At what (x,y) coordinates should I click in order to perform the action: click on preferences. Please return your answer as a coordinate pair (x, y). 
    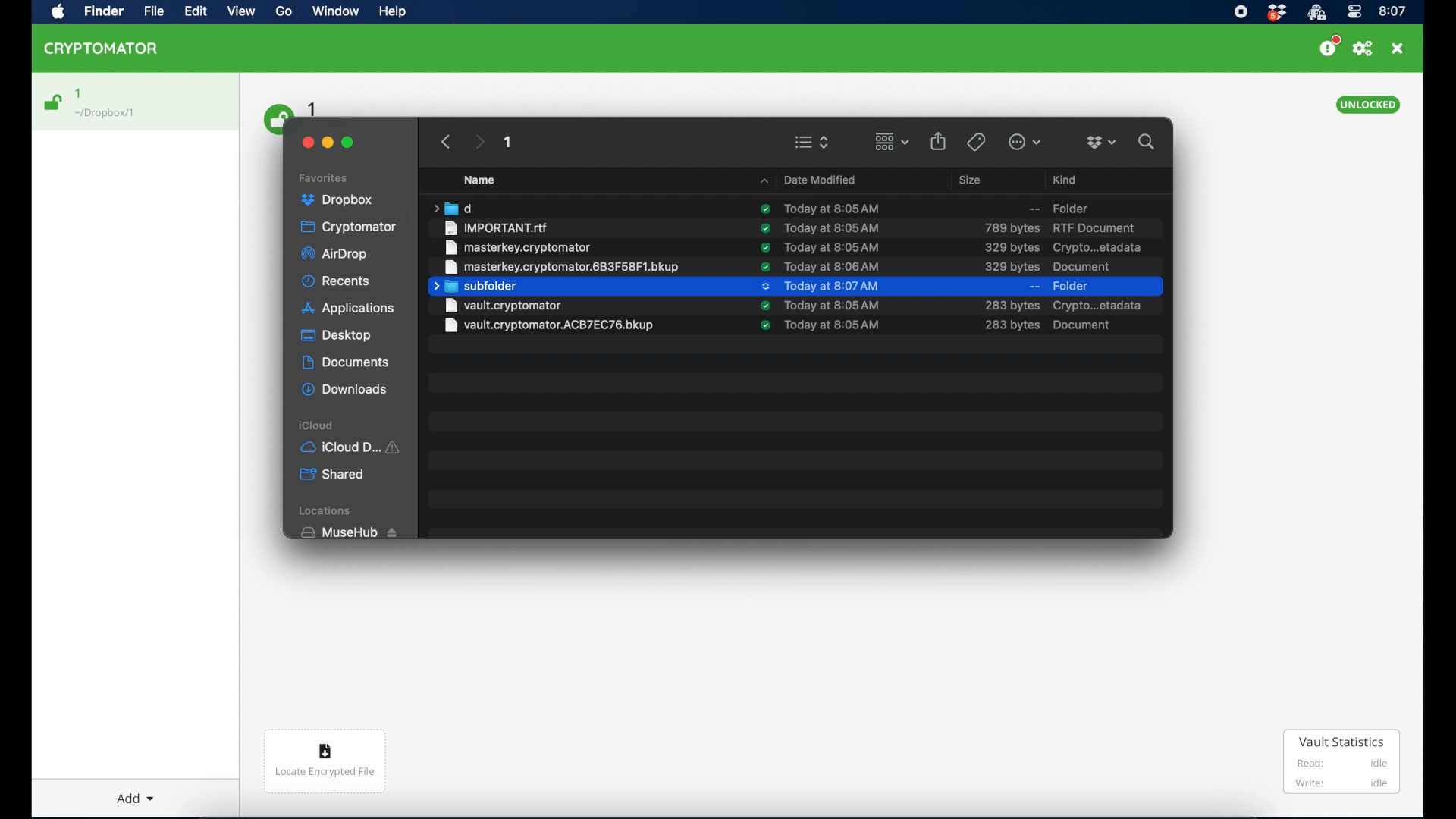
    Looking at the image, I should click on (1363, 49).